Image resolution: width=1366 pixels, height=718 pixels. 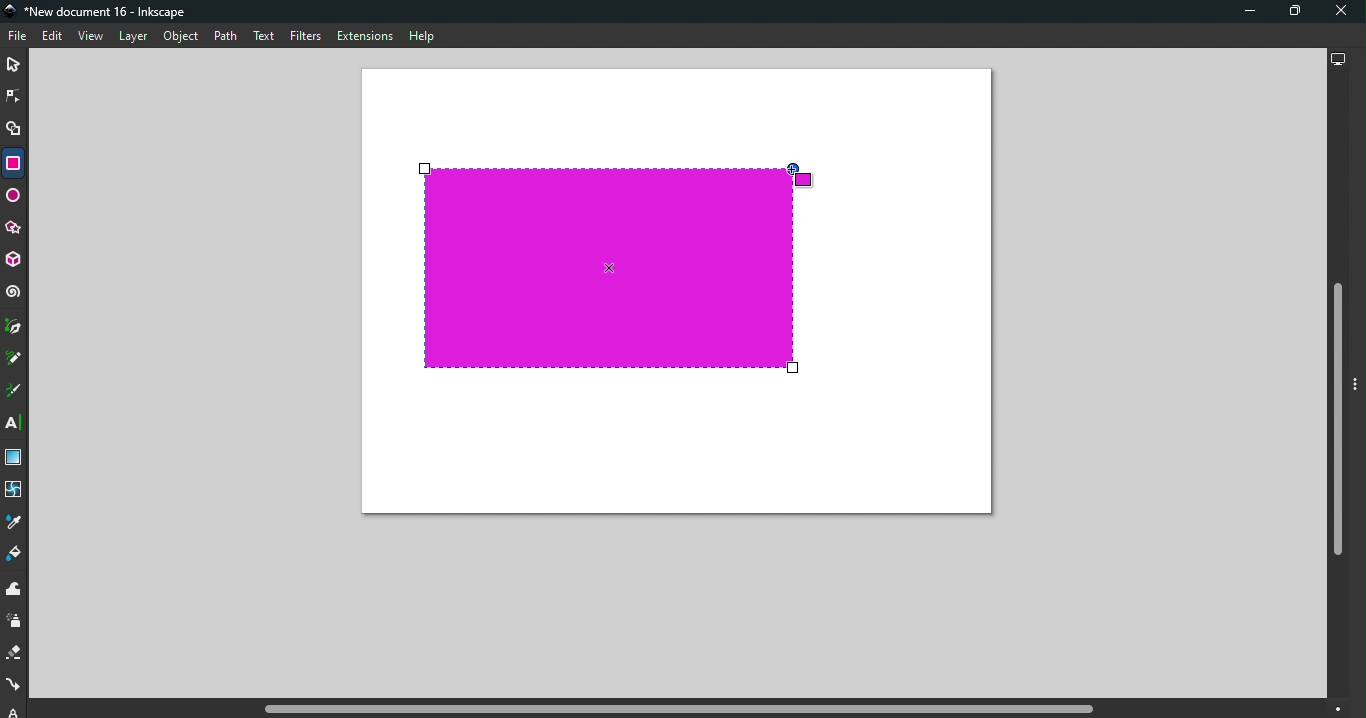 What do you see at coordinates (422, 36) in the screenshot?
I see `Help` at bounding box center [422, 36].